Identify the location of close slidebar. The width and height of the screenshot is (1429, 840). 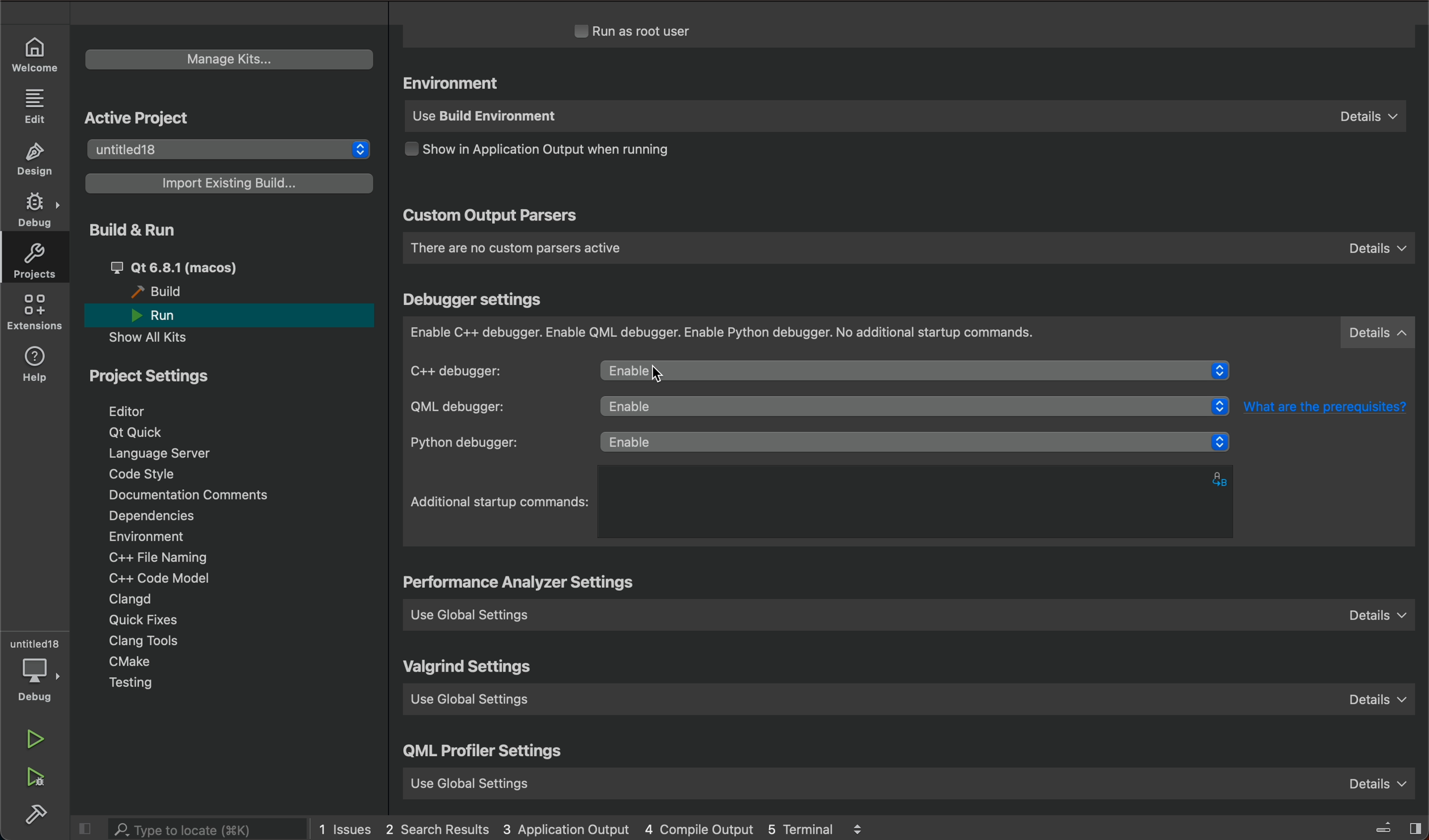
(1384, 826).